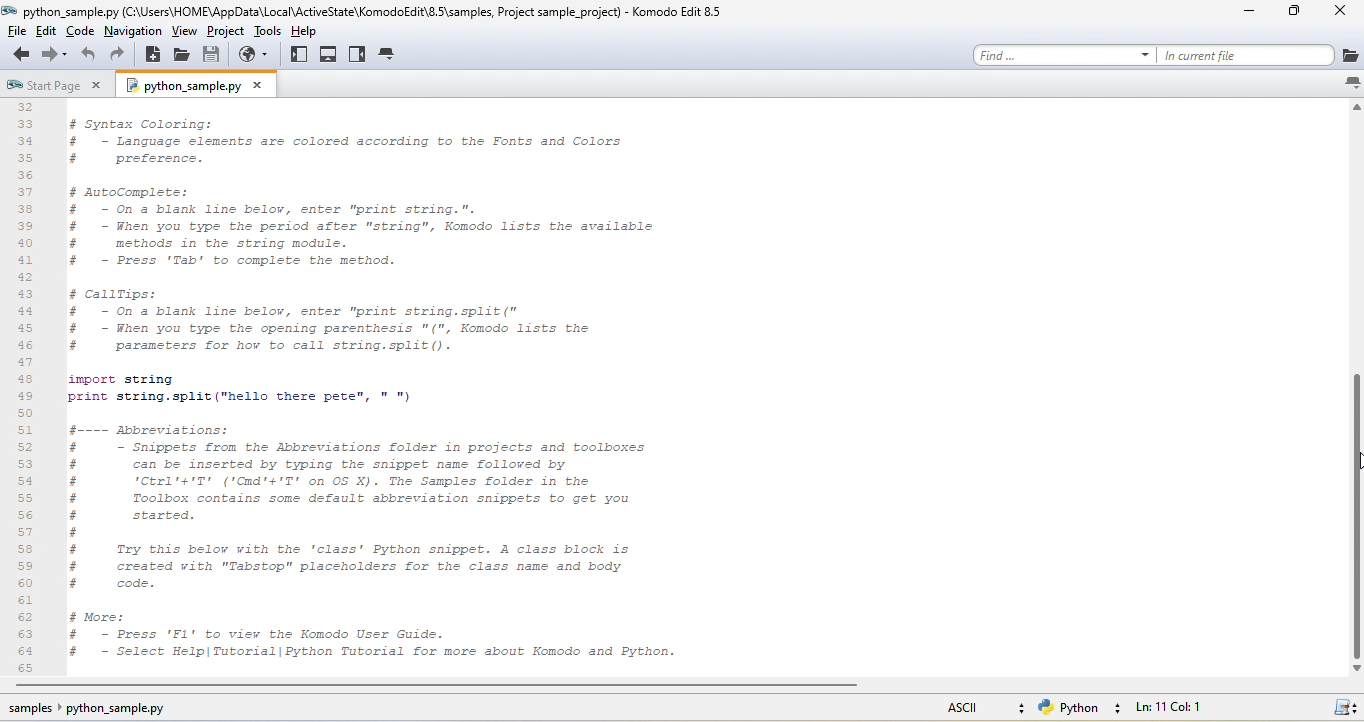  What do you see at coordinates (156, 58) in the screenshot?
I see `new` at bounding box center [156, 58].